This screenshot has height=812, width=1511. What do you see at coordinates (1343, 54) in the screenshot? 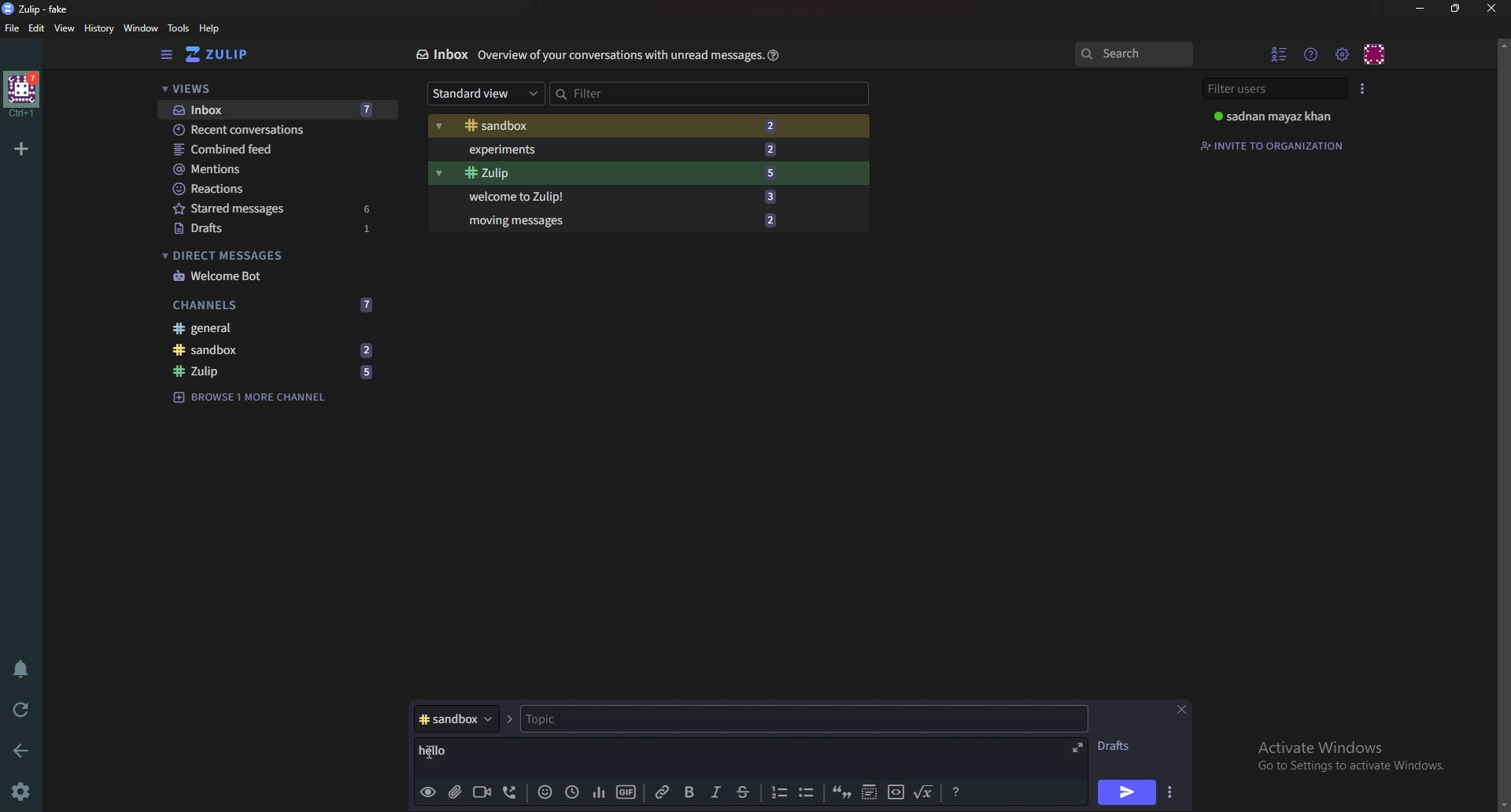
I see `Main menu` at bounding box center [1343, 54].